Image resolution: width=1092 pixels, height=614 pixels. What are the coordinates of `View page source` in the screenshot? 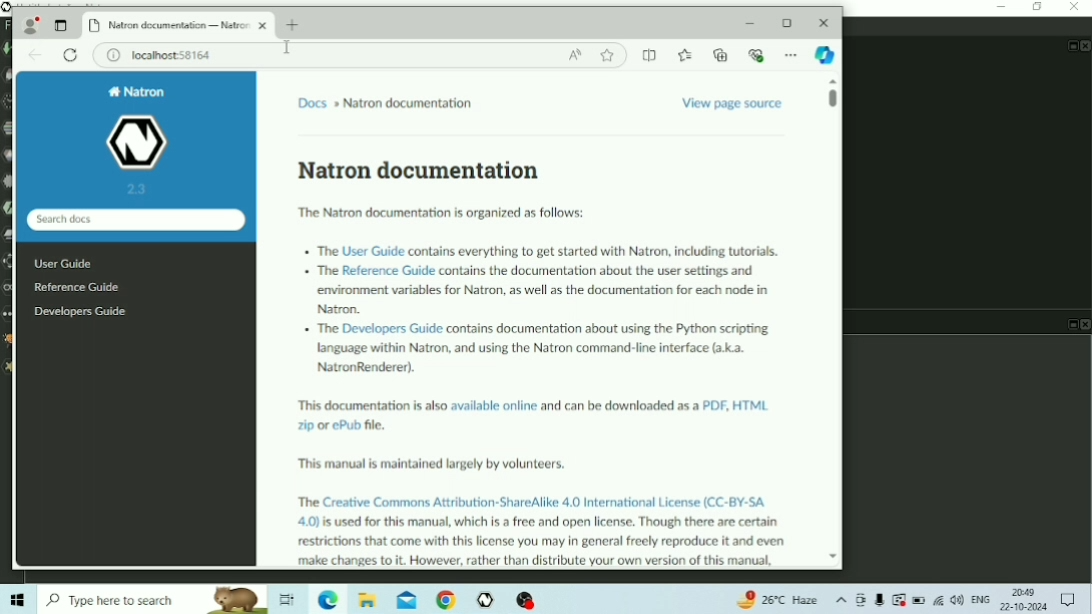 It's located at (730, 103).